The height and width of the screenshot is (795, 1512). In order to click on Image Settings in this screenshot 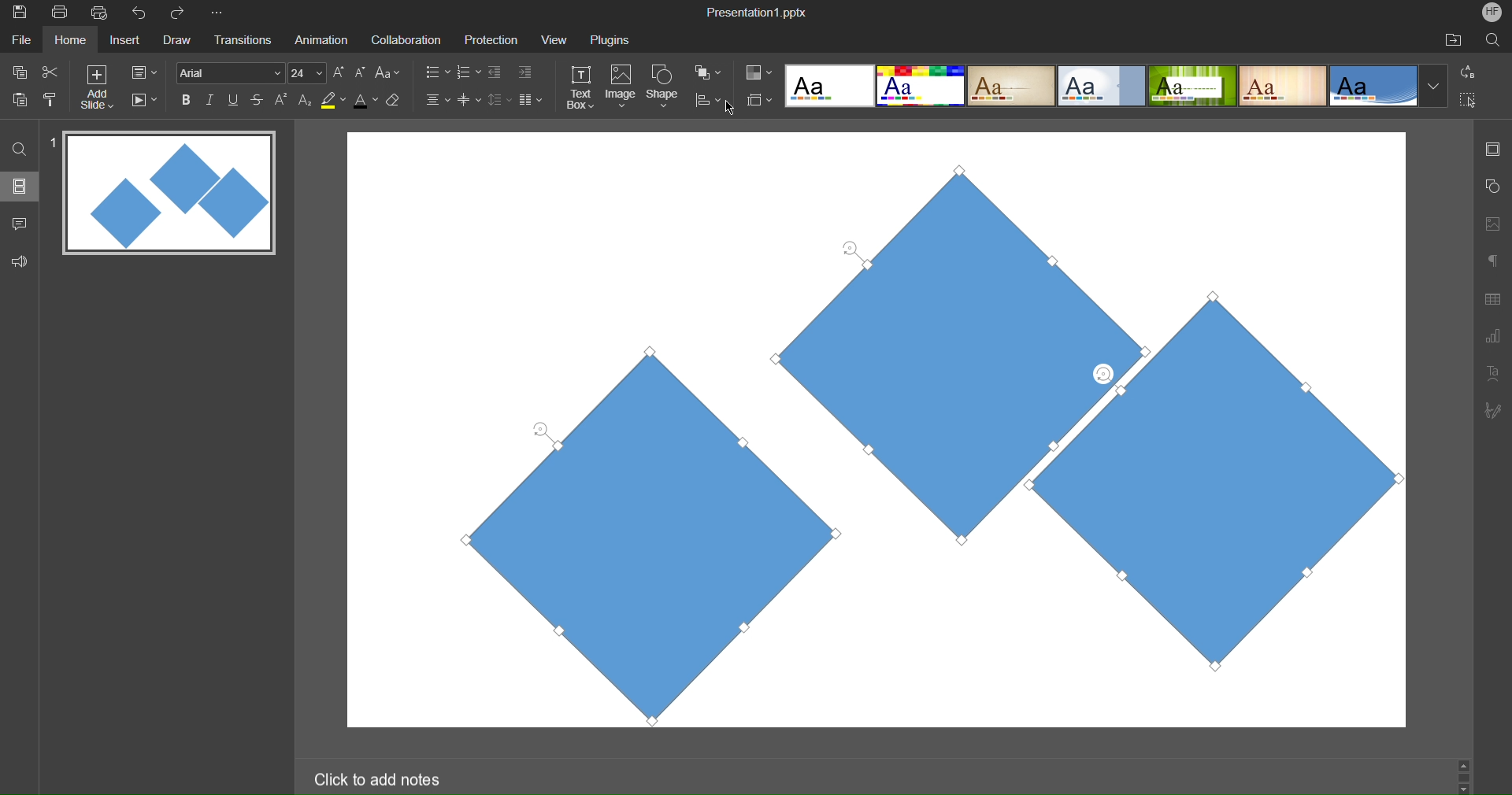, I will do `click(1490, 224)`.